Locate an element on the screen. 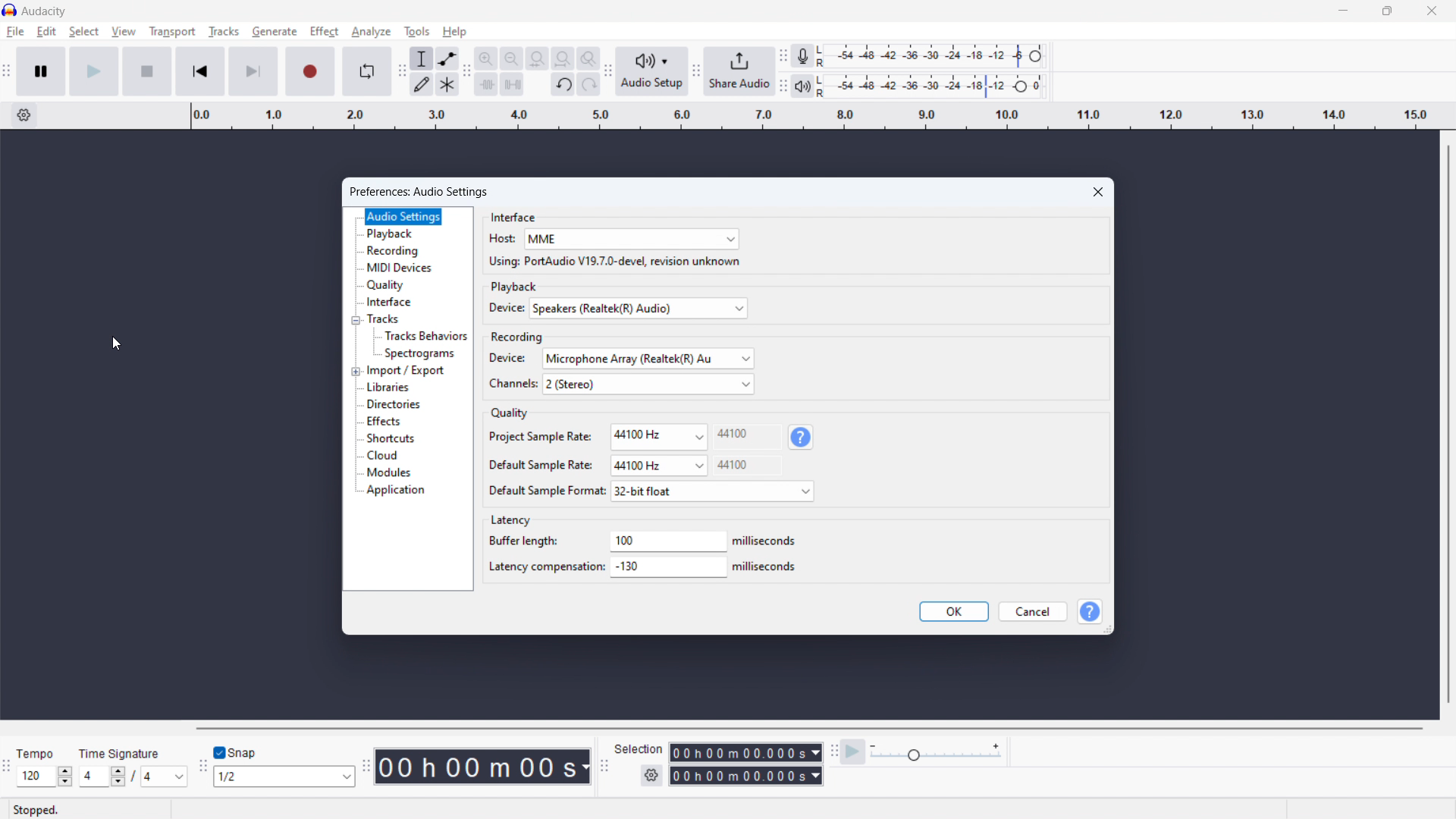 Image resolution: width=1456 pixels, height=819 pixels. Selection is located at coordinates (639, 748).